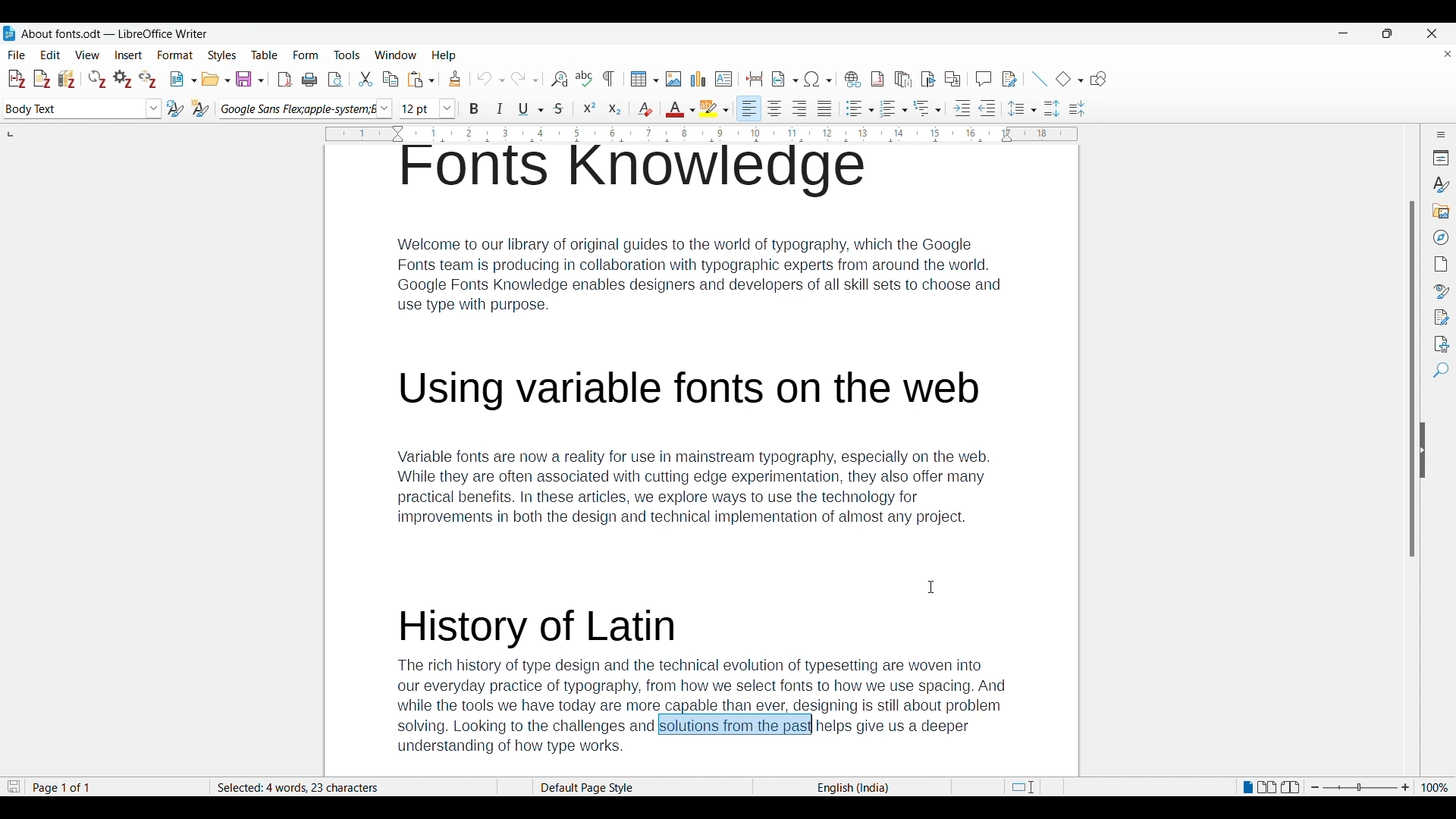 The image size is (1456, 819). I want to click on cursor, so click(934, 588).